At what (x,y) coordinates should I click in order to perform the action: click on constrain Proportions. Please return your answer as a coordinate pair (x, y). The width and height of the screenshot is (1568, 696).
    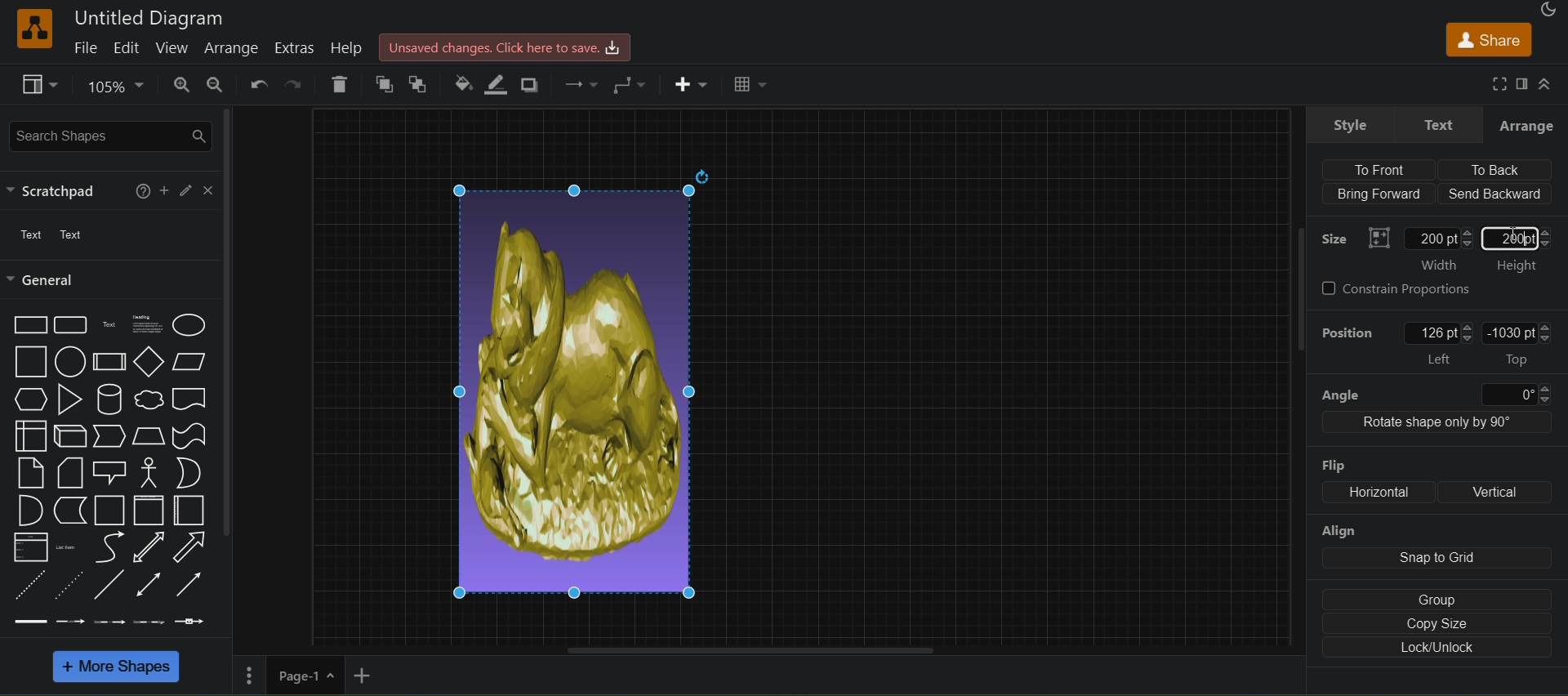
    Looking at the image, I should click on (1403, 289).